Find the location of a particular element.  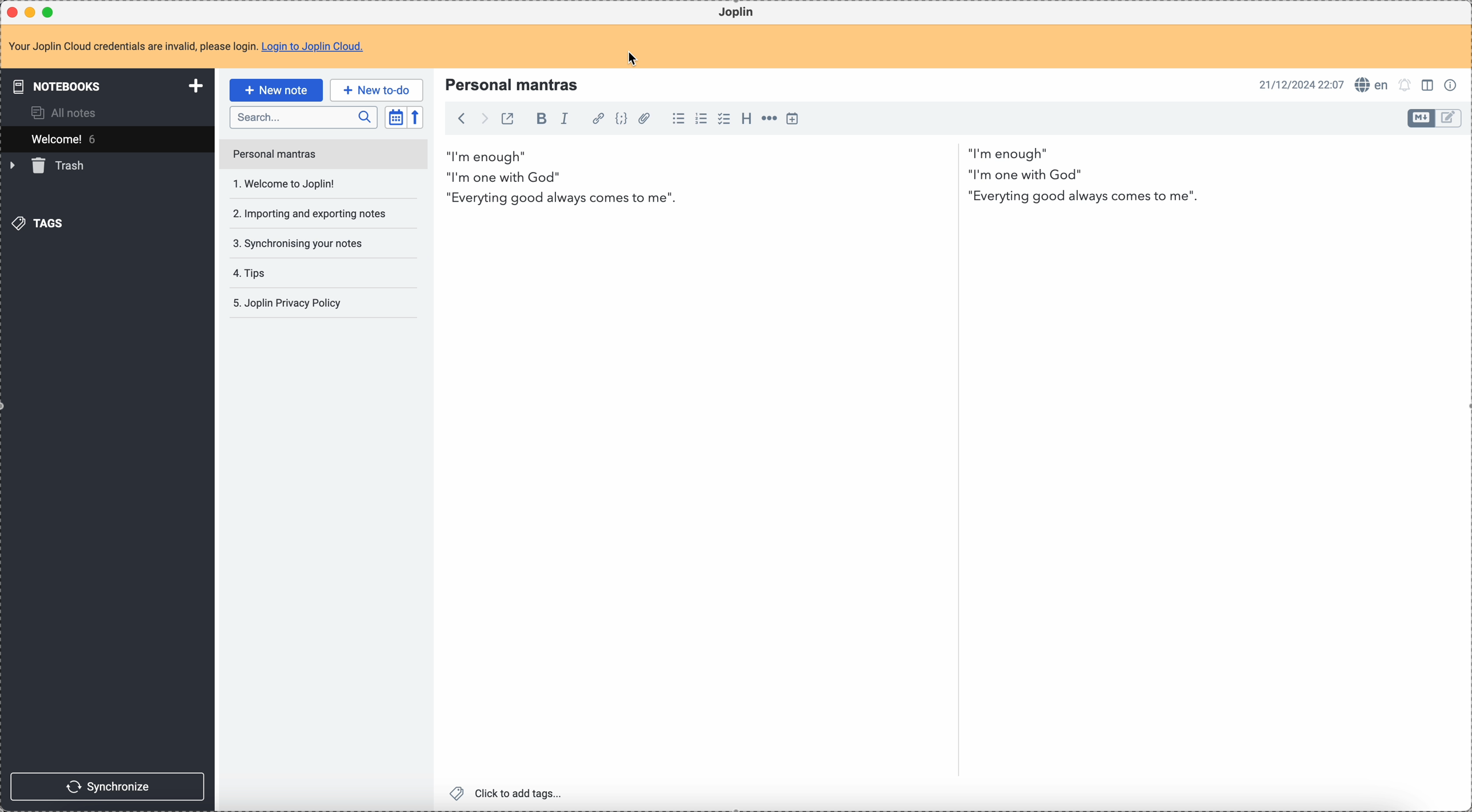

all notes is located at coordinates (62, 112).